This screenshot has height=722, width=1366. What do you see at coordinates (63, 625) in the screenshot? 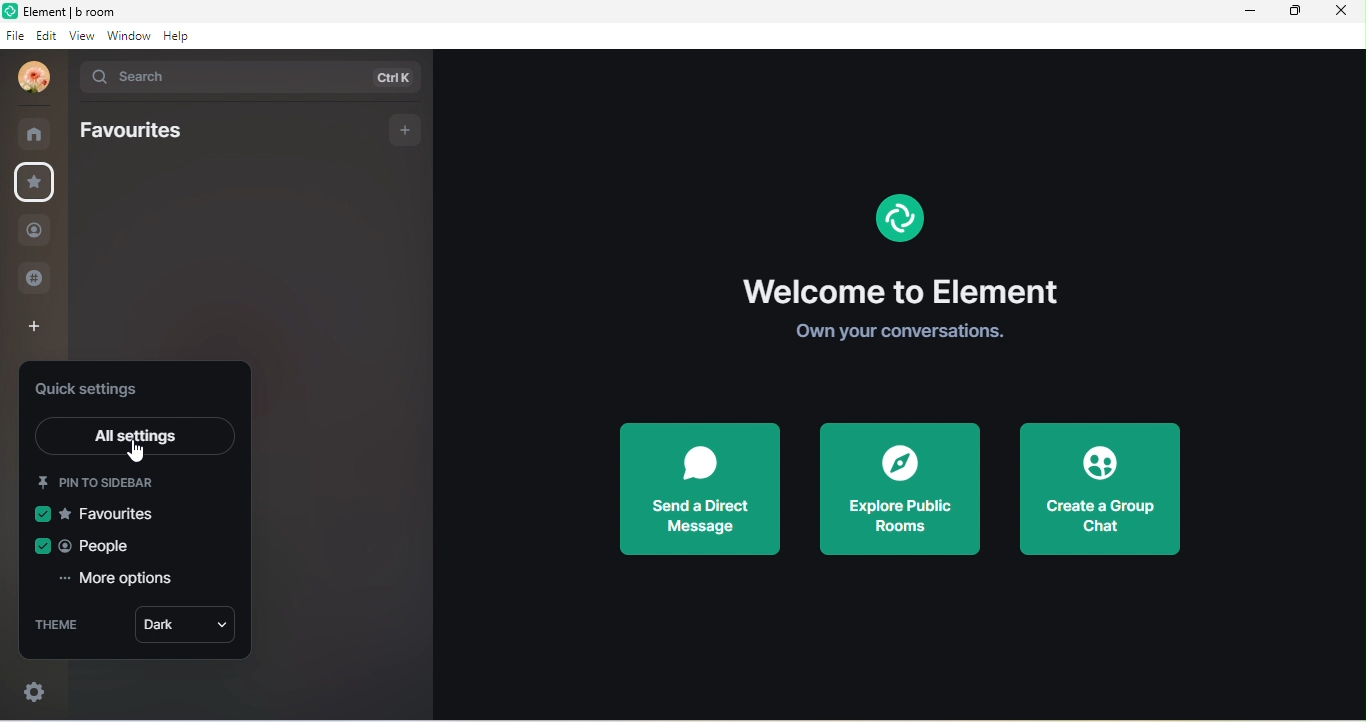
I see `theme` at bounding box center [63, 625].